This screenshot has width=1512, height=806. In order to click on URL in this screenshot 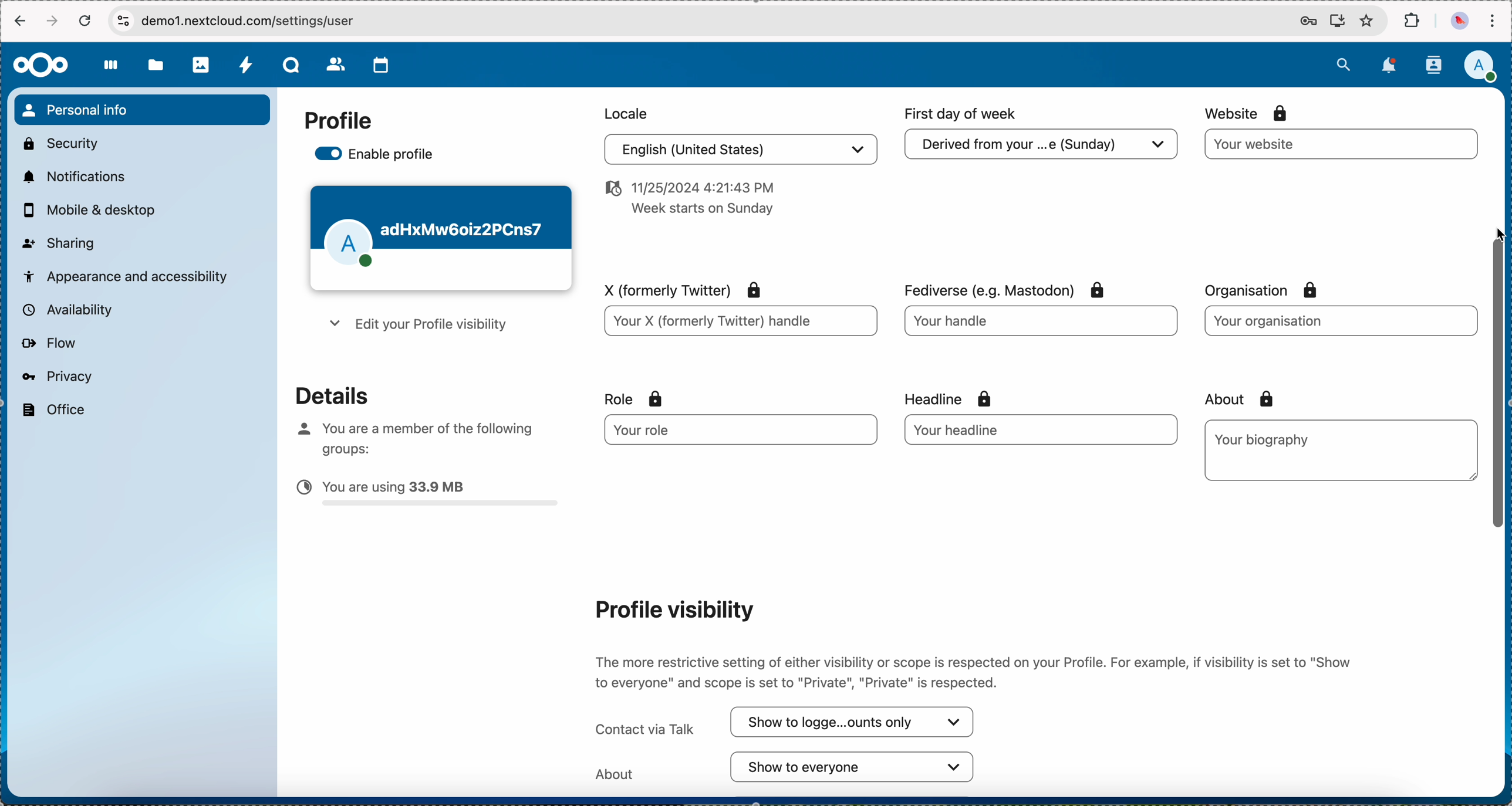, I will do `click(262, 21)`.